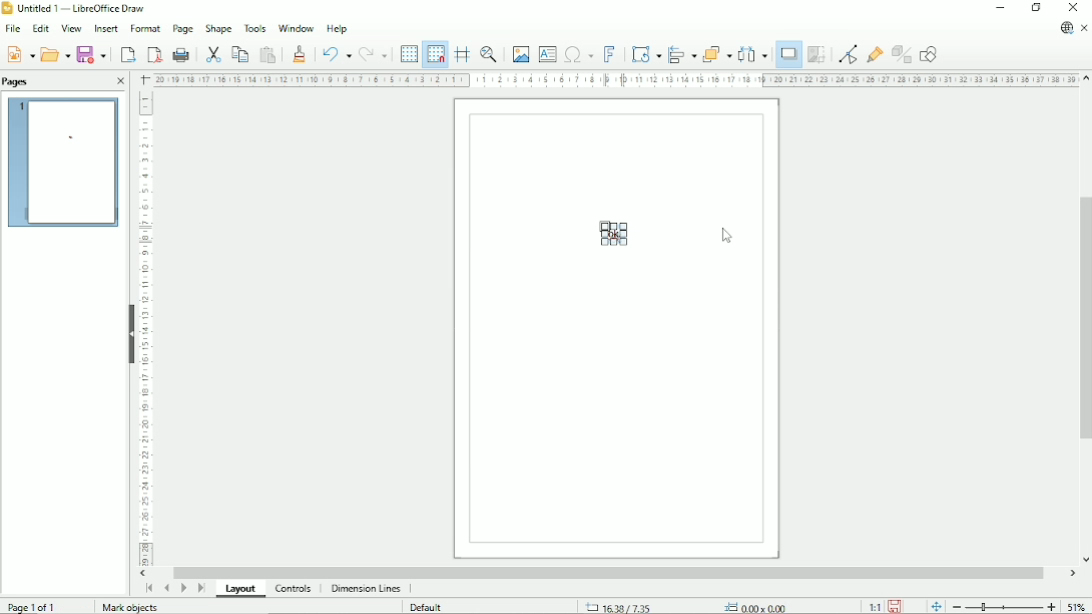  I want to click on File, so click(11, 29).